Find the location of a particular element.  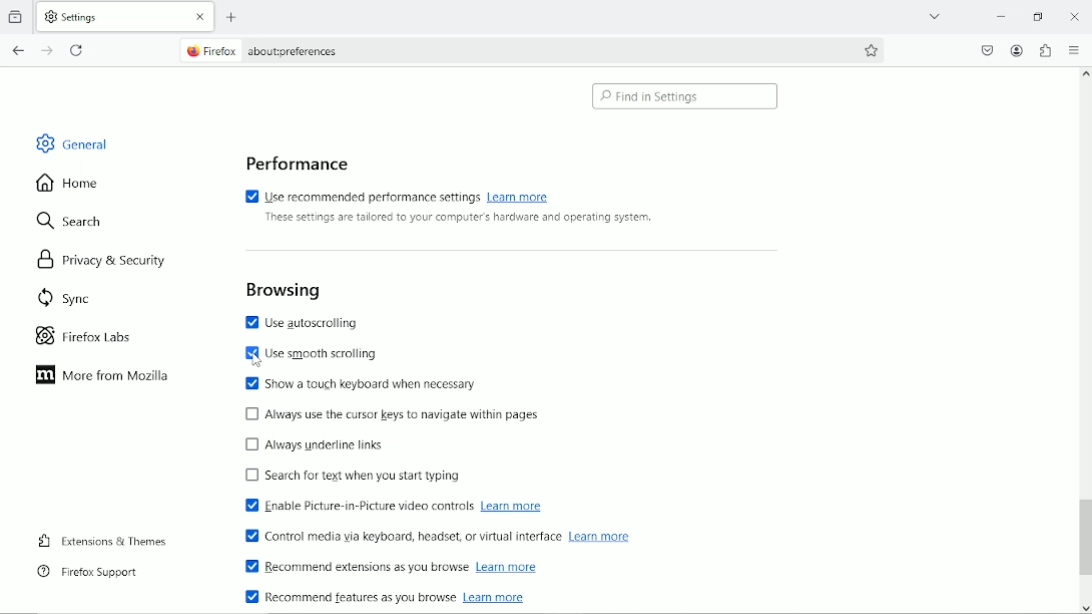

View recent browsing is located at coordinates (17, 16).